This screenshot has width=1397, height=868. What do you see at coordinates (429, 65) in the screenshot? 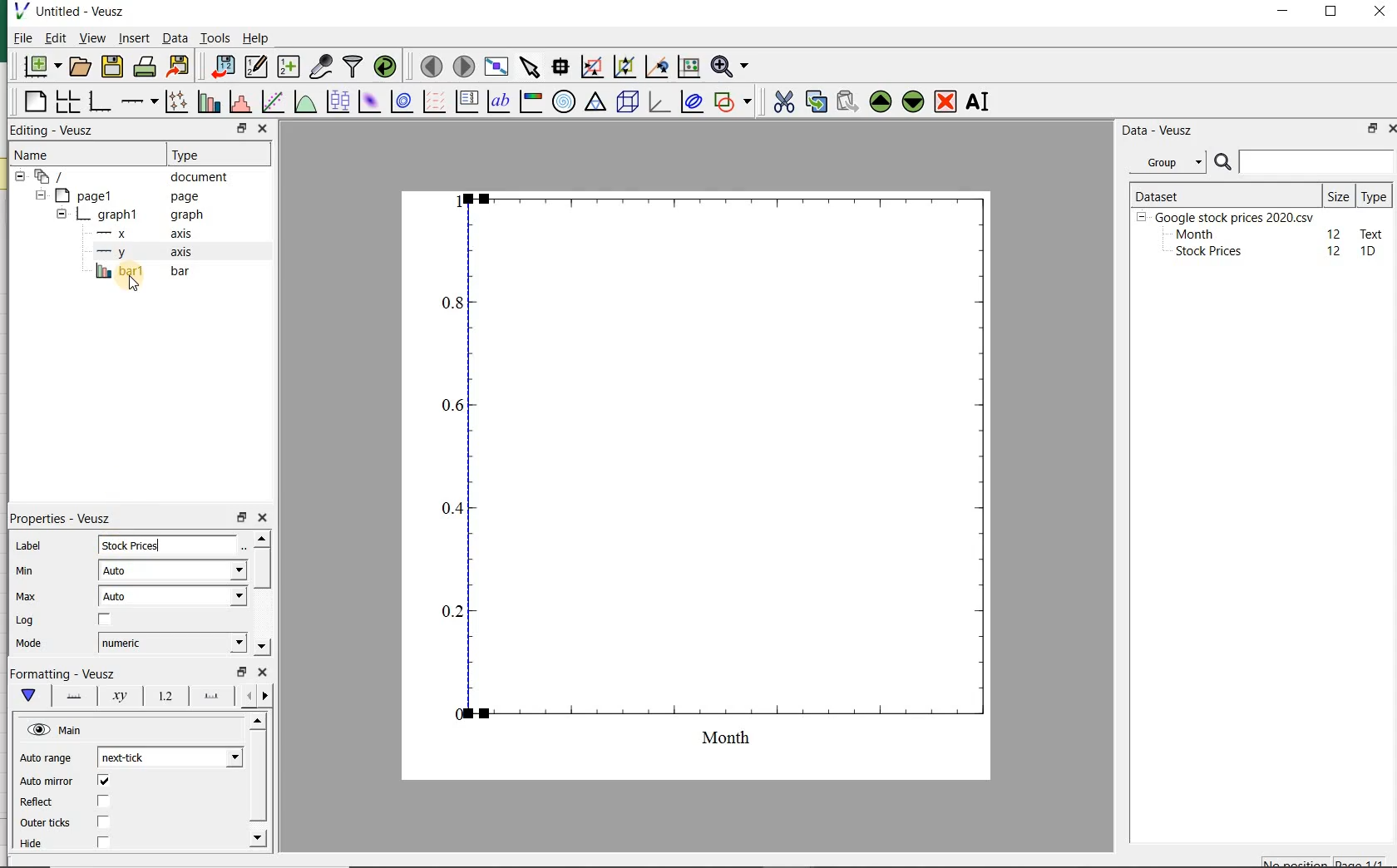
I see `move to the previous page` at bounding box center [429, 65].